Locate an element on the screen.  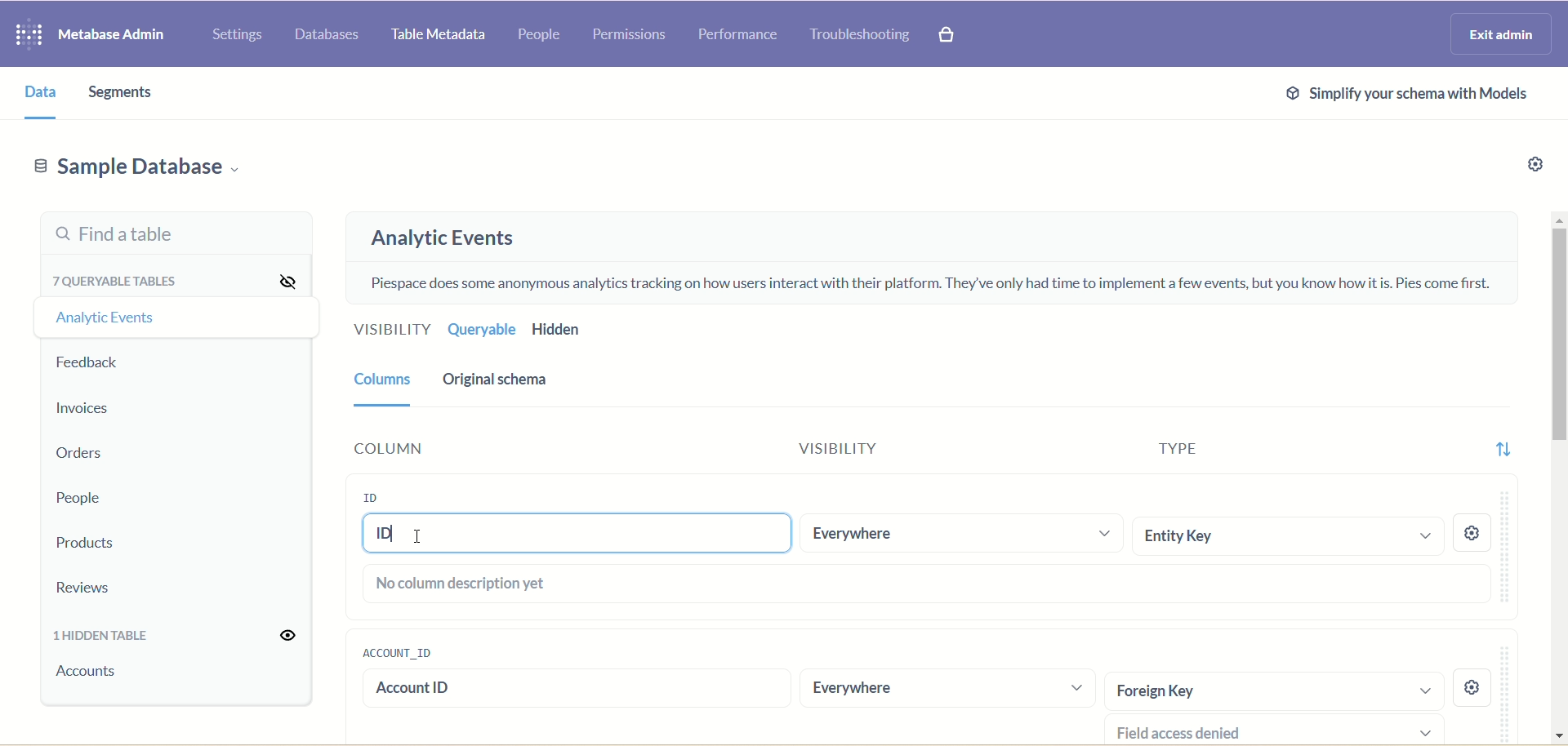
Settings is located at coordinates (1479, 532).